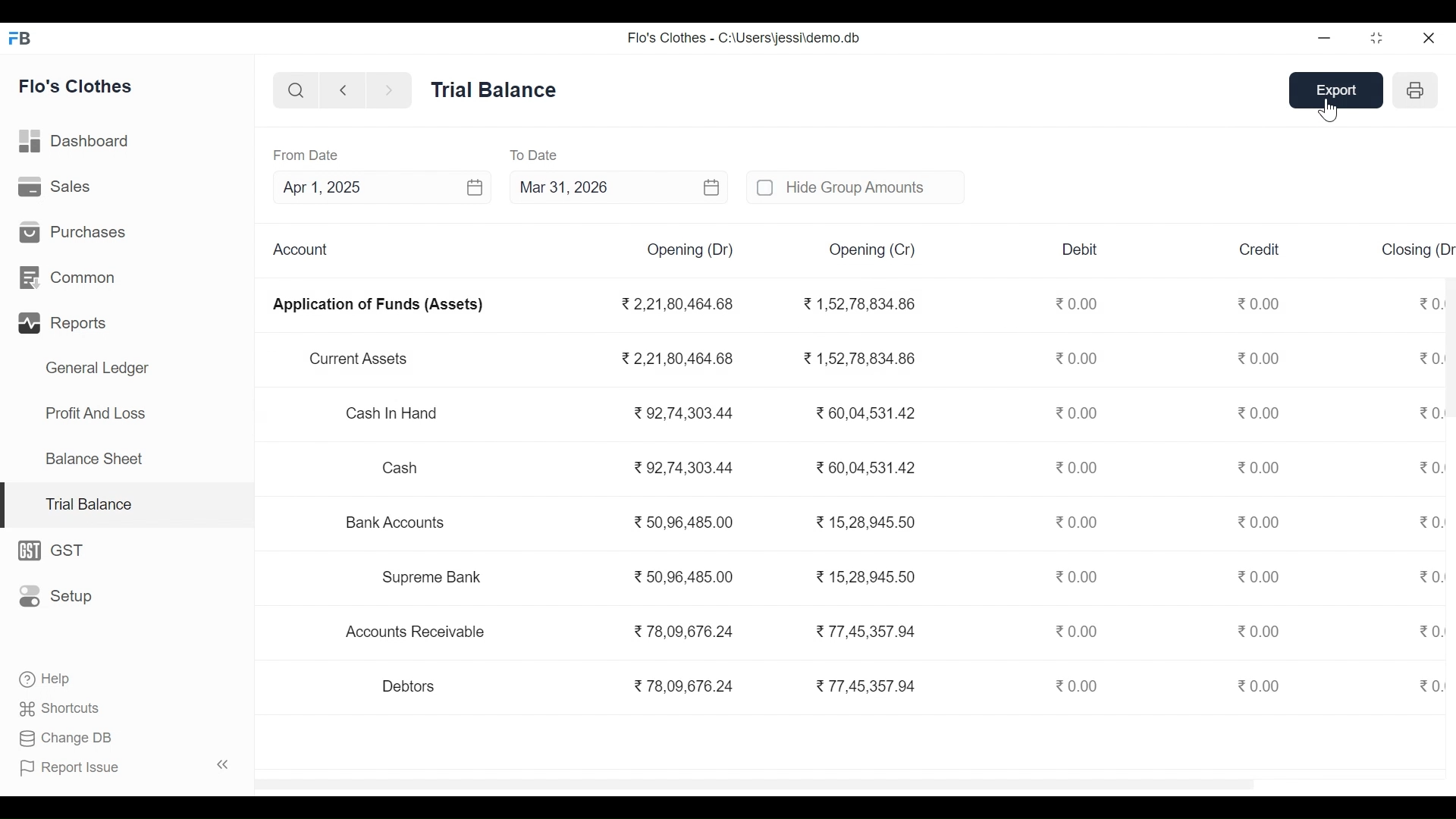 This screenshot has height=819, width=1456. Describe the element at coordinates (97, 368) in the screenshot. I see `General Ledger` at that location.